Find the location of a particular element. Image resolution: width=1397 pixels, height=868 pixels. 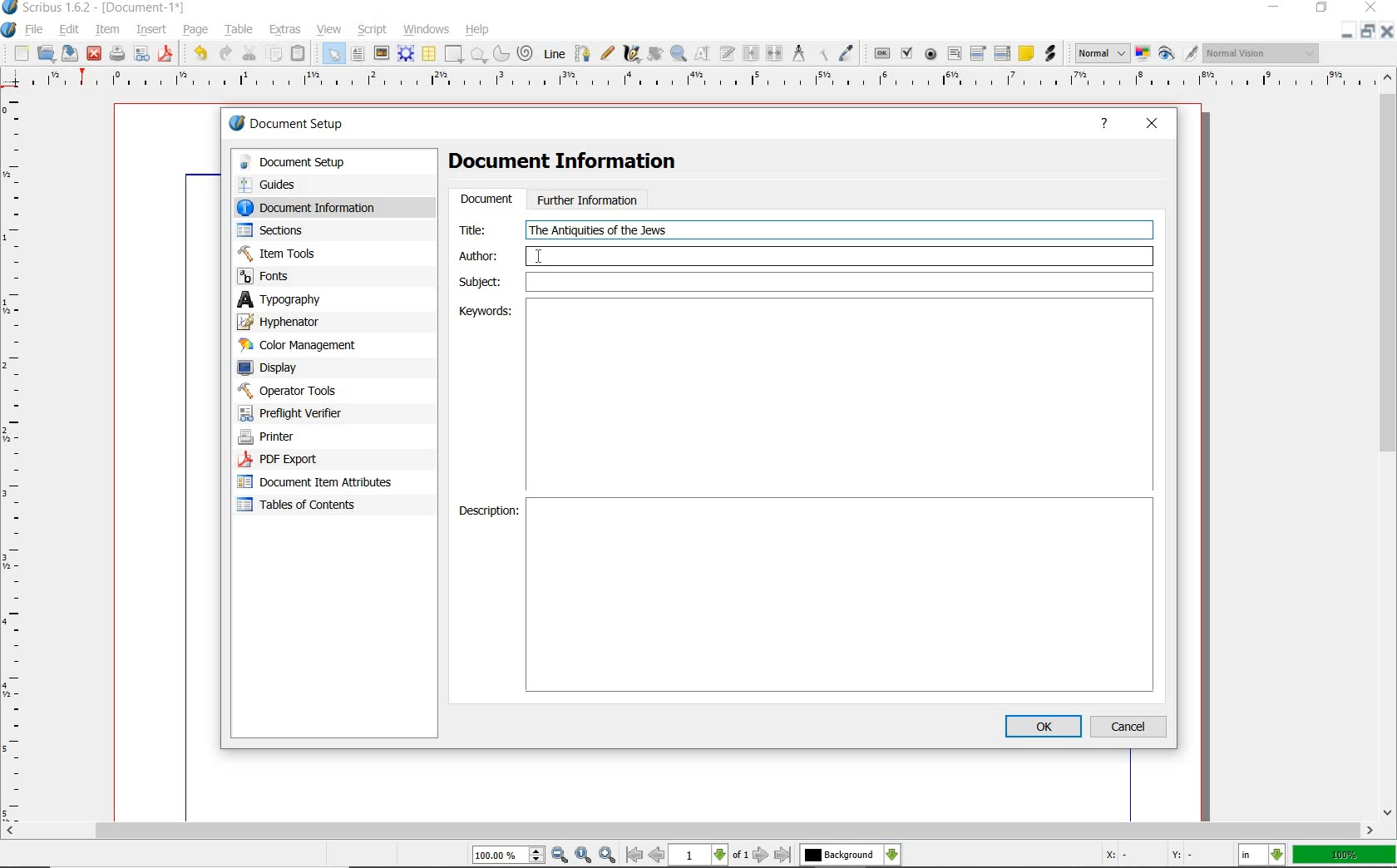

PDF Export is located at coordinates (308, 459).